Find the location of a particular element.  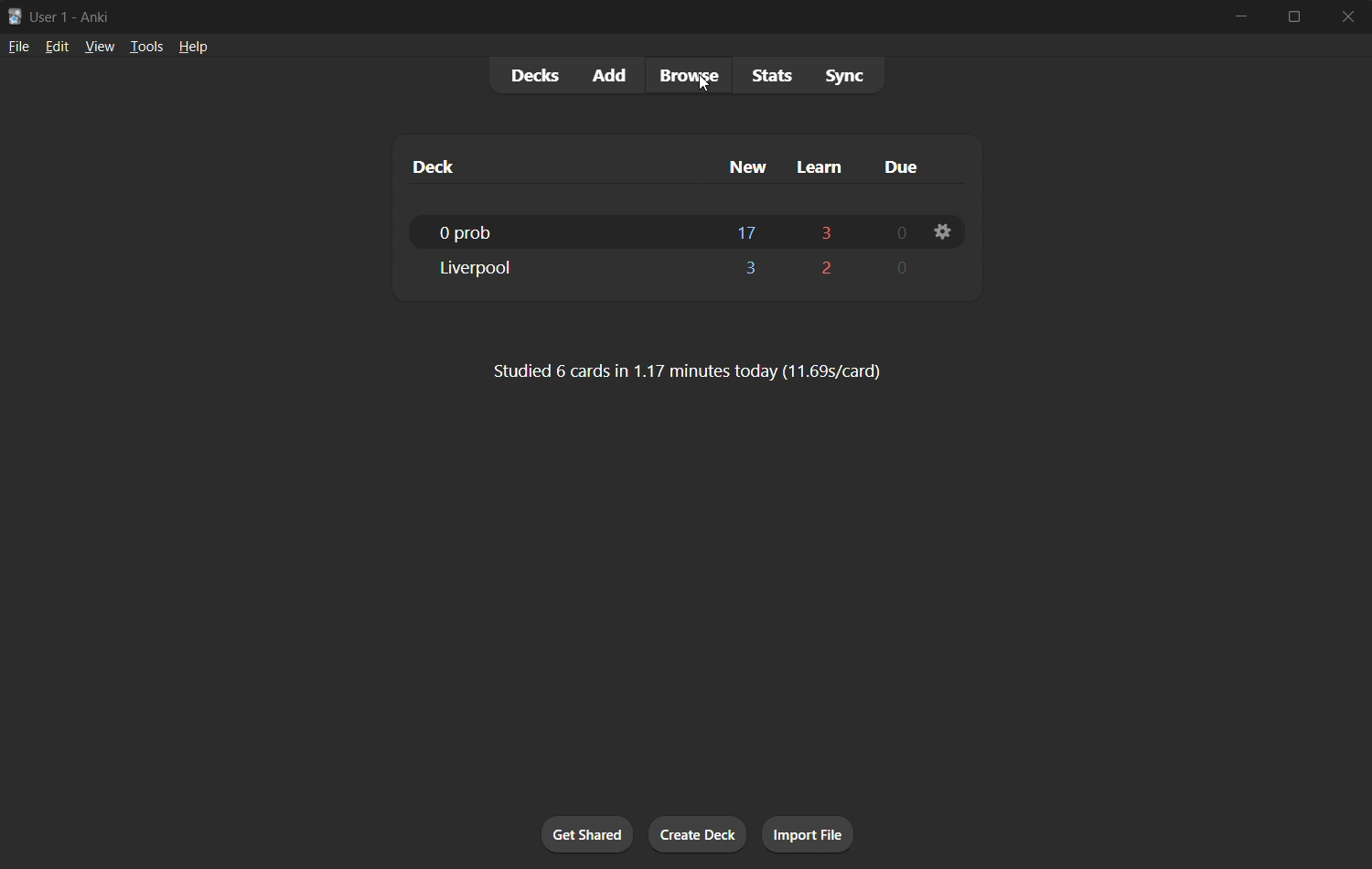

sync is located at coordinates (845, 75).